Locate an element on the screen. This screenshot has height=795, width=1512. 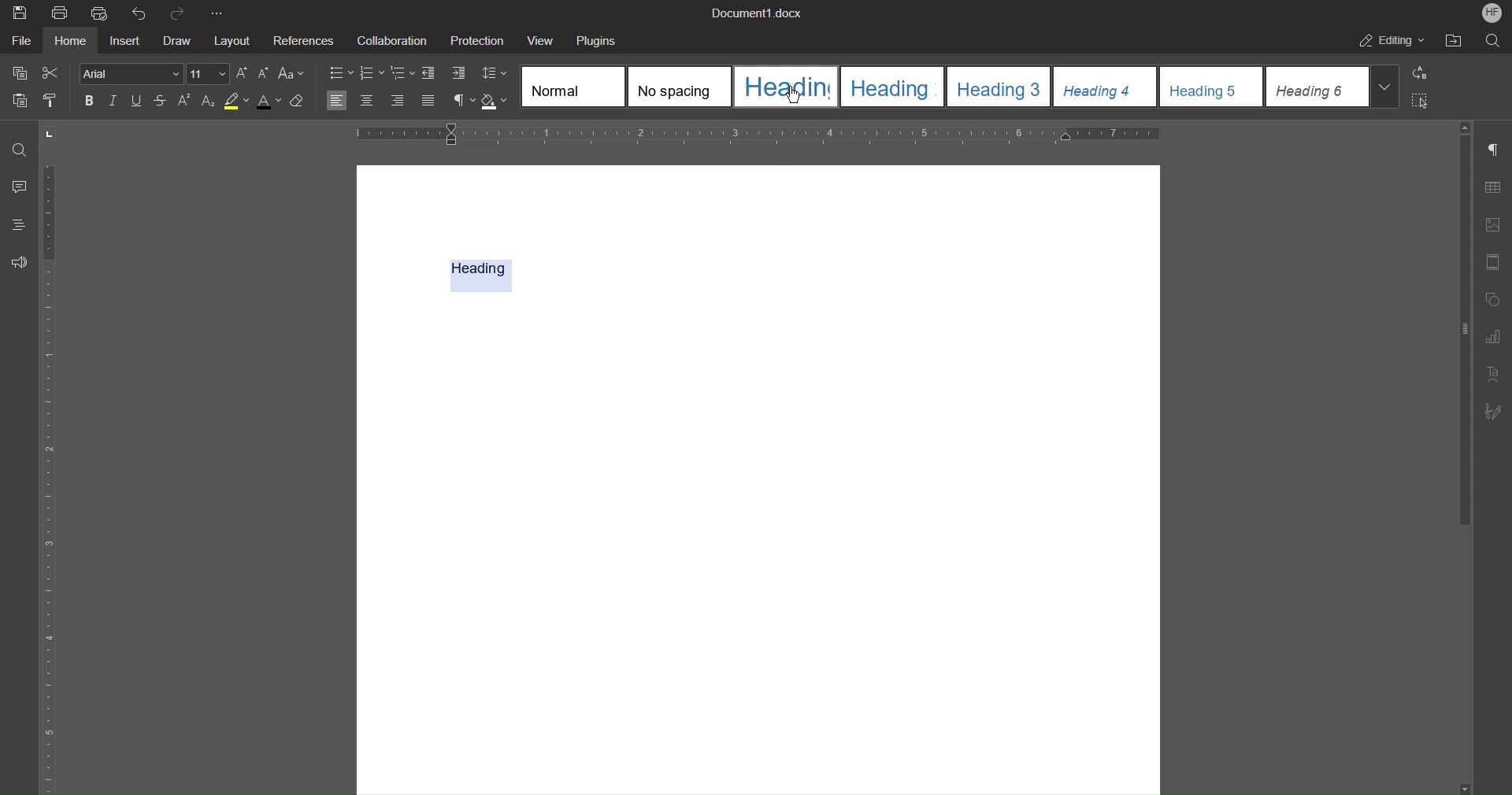
Find is located at coordinates (17, 150).